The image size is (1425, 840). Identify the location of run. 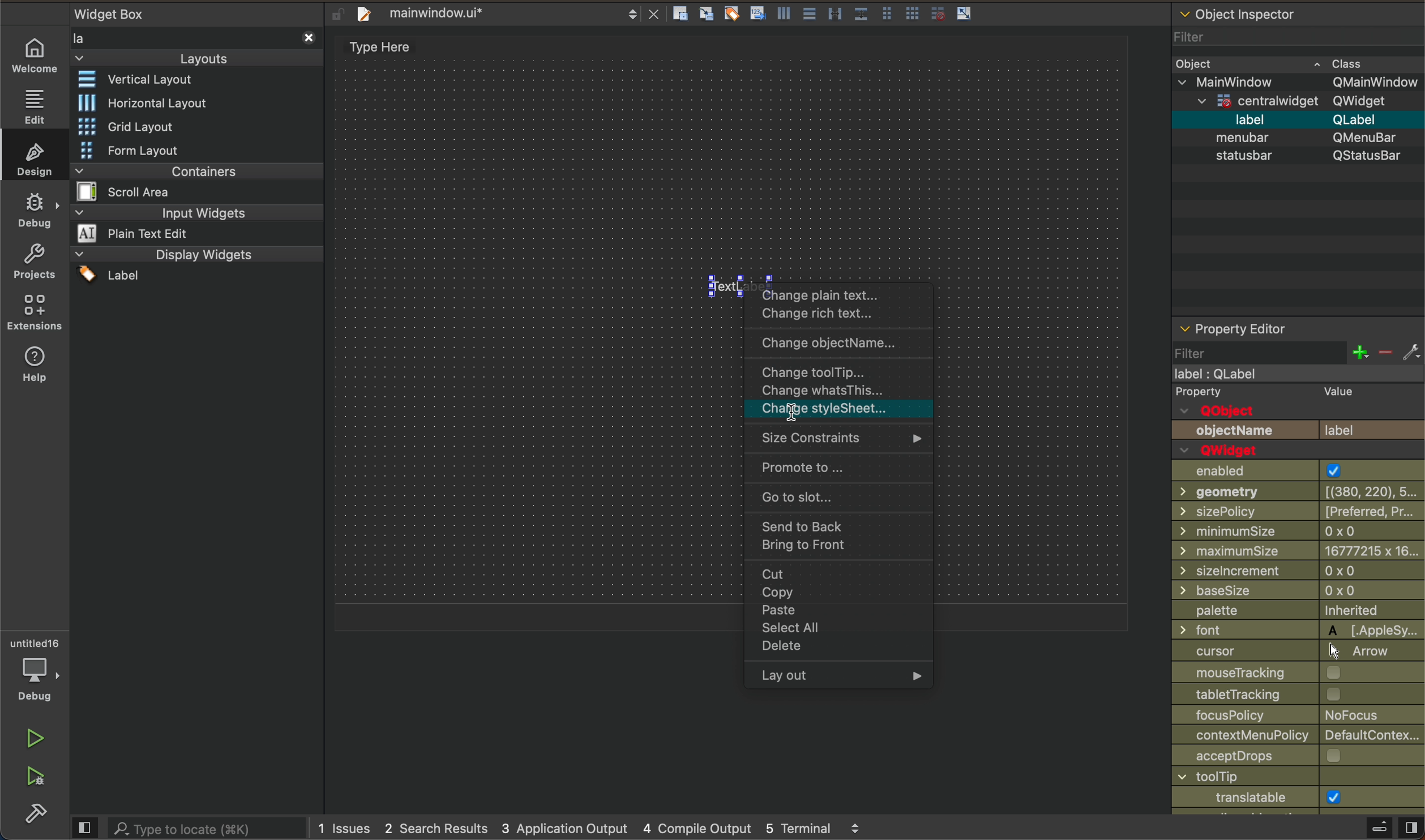
(35, 742).